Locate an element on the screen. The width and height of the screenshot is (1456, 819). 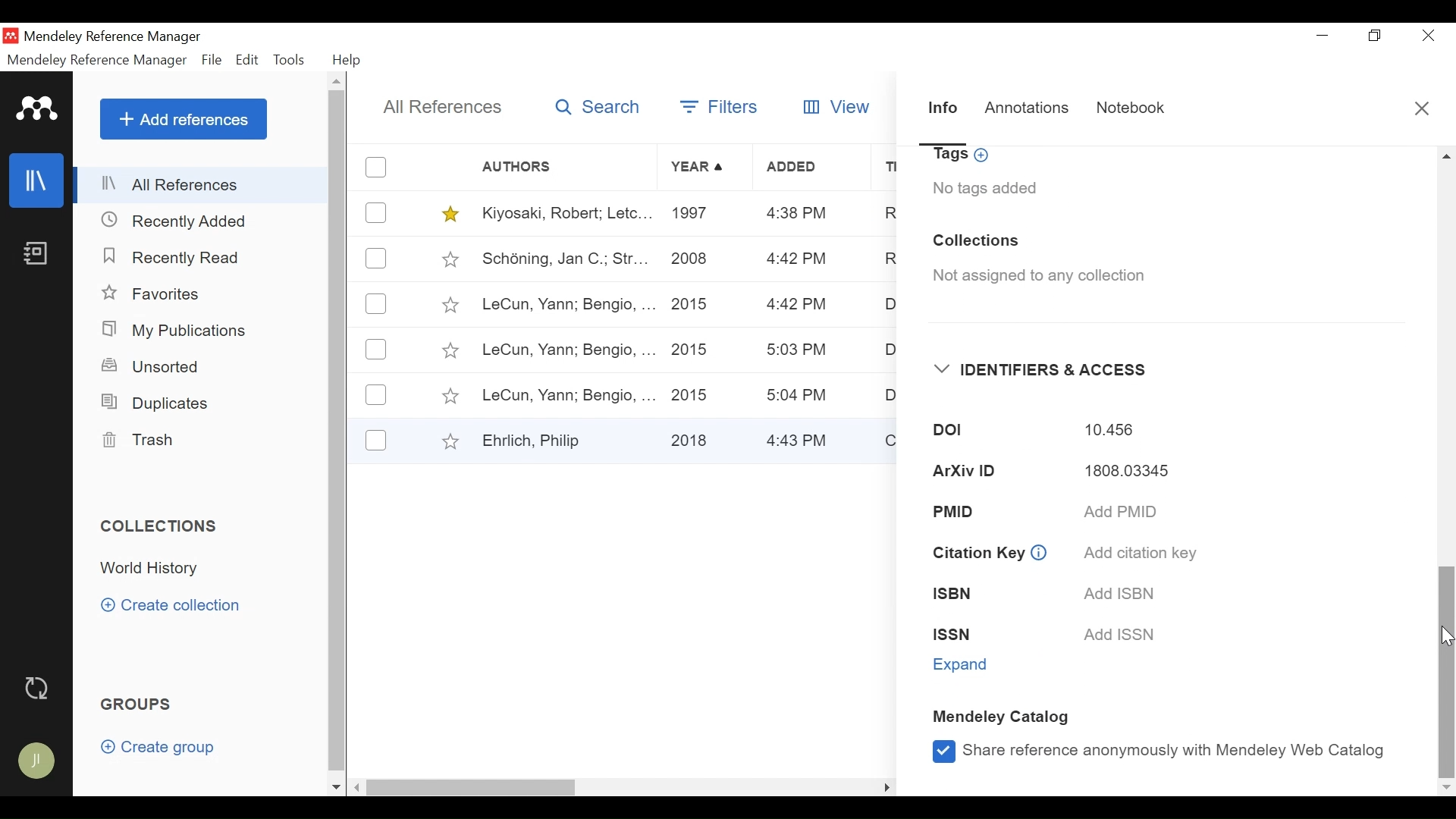
scroll down is located at coordinates (336, 788).